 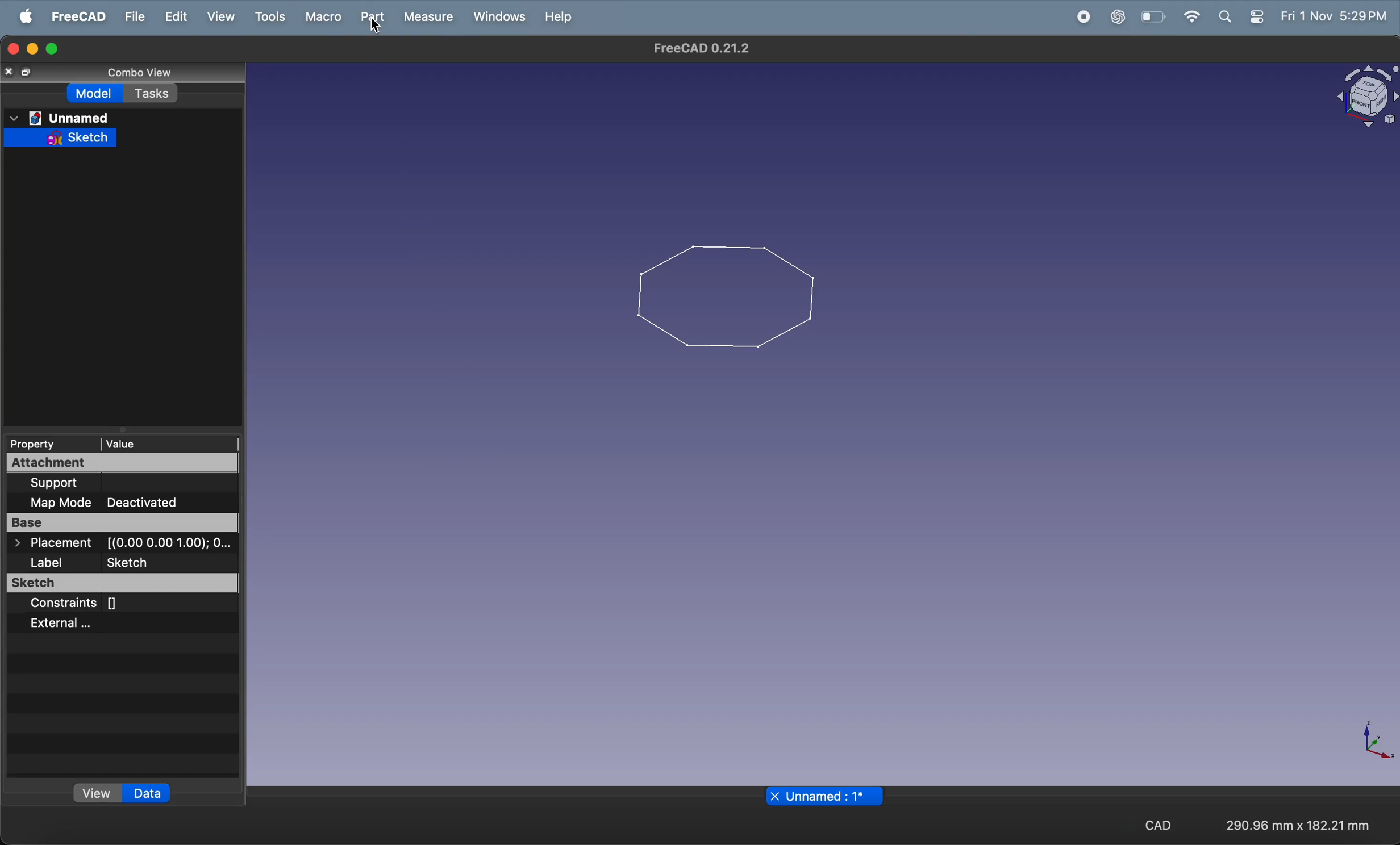 What do you see at coordinates (90, 93) in the screenshot?
I see `model` at bounding box center [90, 93].